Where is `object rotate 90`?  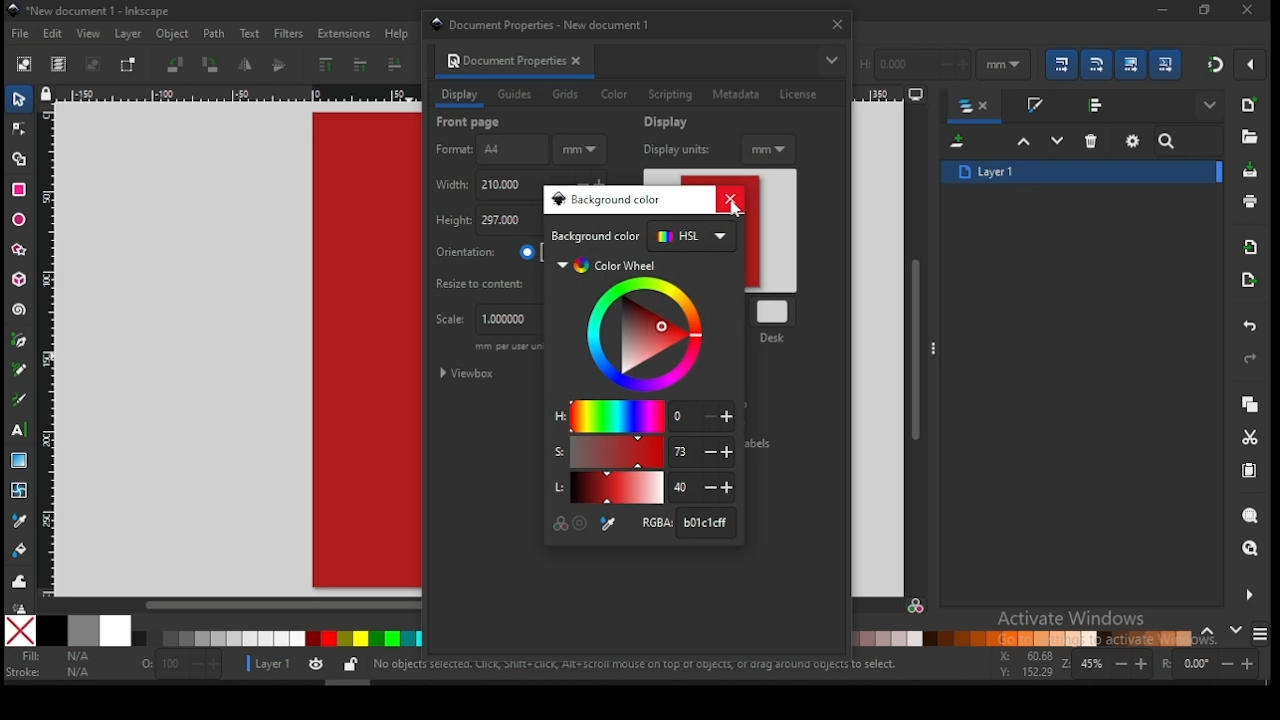 object rotate 90 is located at coordinates (212, 65).